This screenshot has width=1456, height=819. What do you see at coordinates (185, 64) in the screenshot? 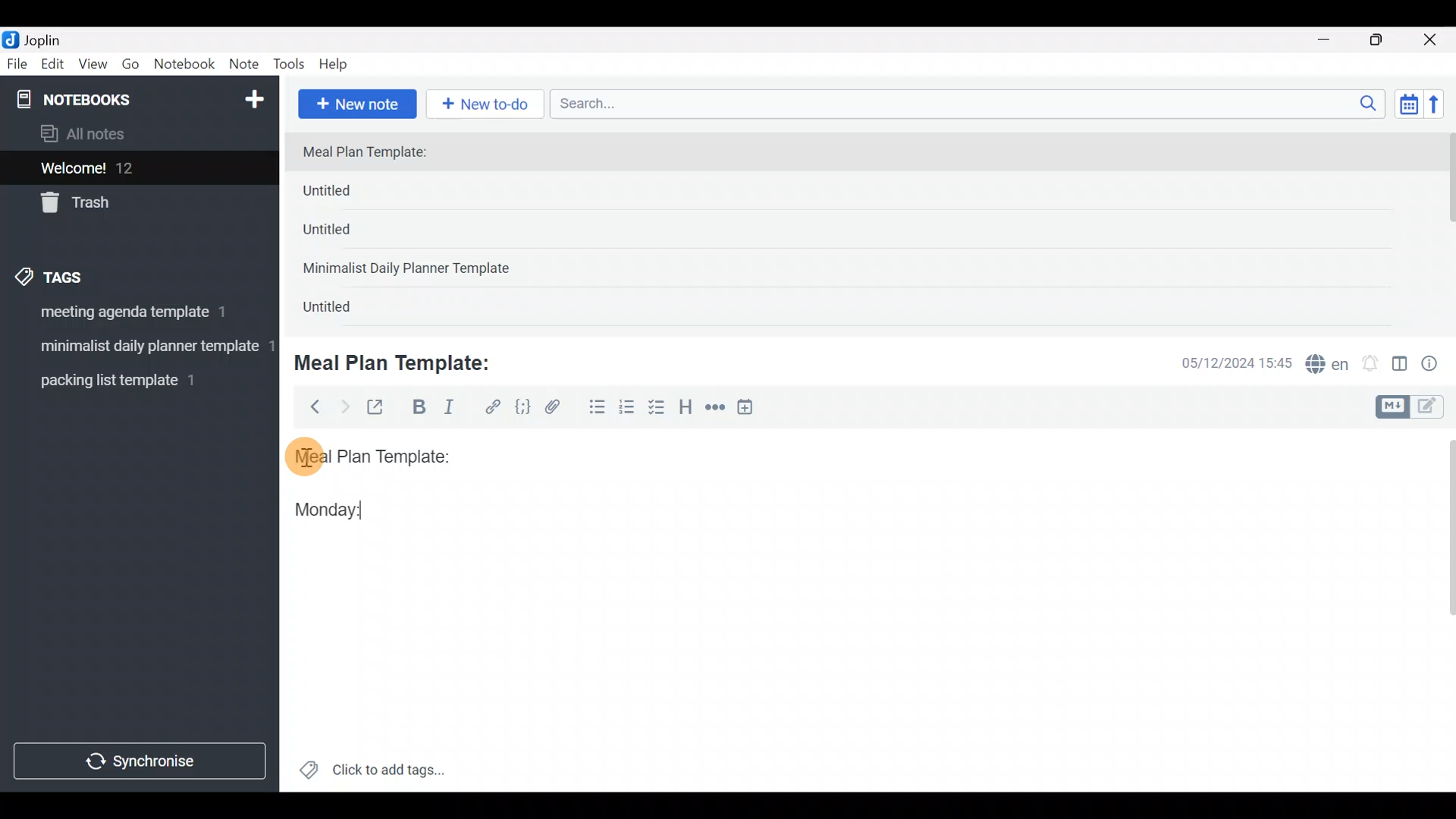
I see `Notebook` at bounding box center [185, 64].